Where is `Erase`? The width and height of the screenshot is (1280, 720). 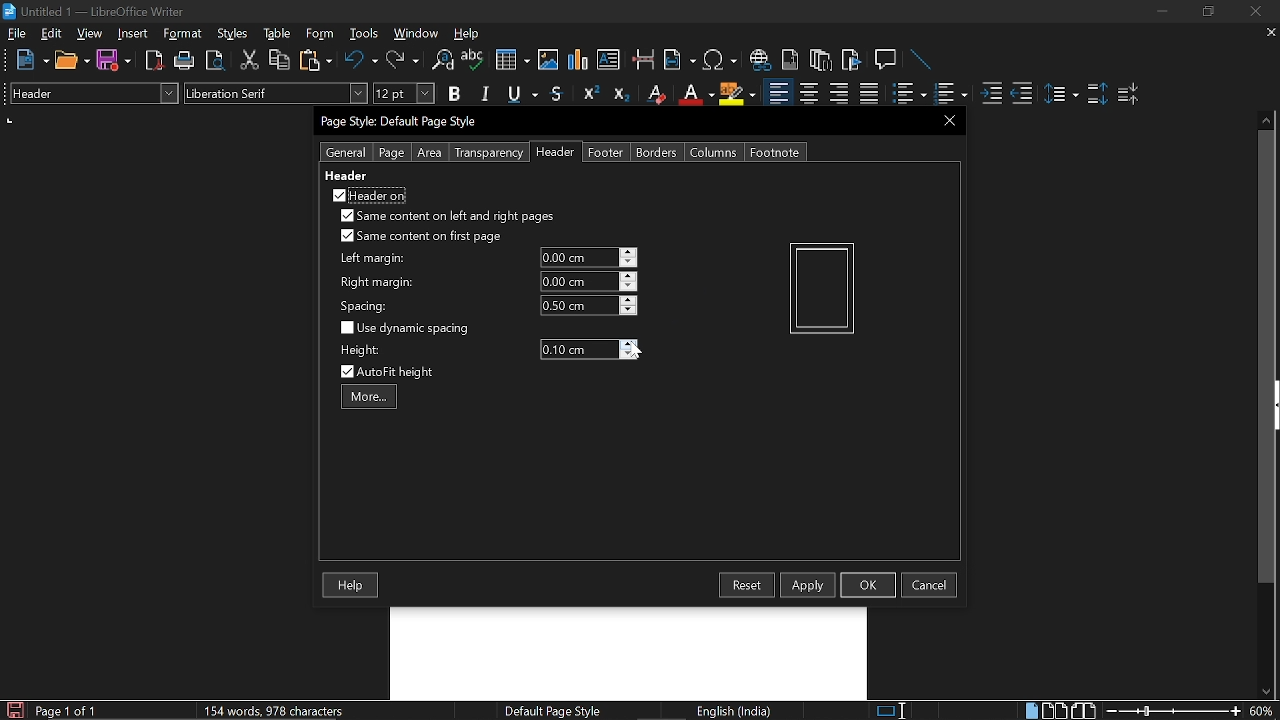 Erase is located at coordinates (655, 94).